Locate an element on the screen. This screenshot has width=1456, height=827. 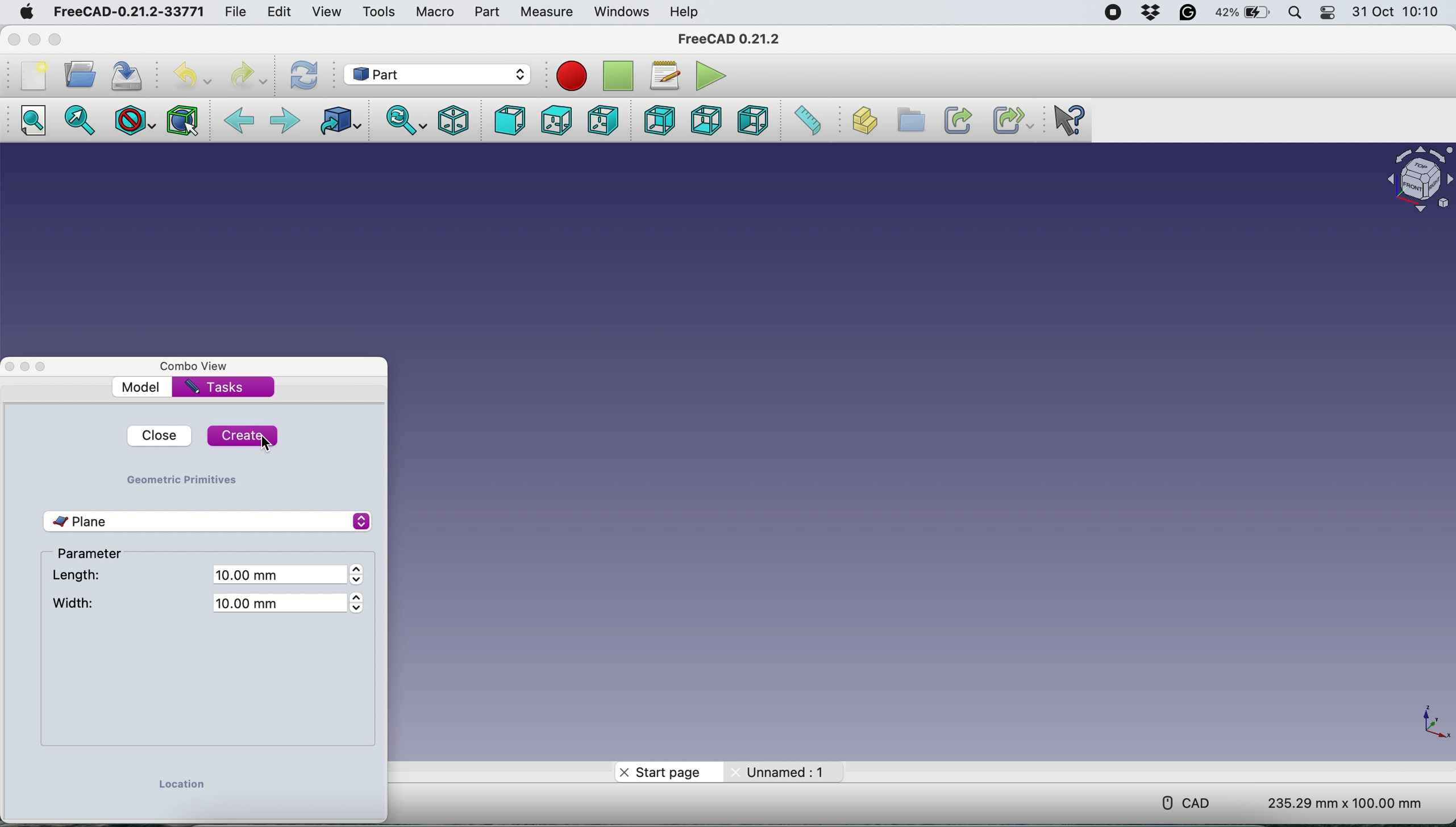
Open is located at coordinates (80, 75).